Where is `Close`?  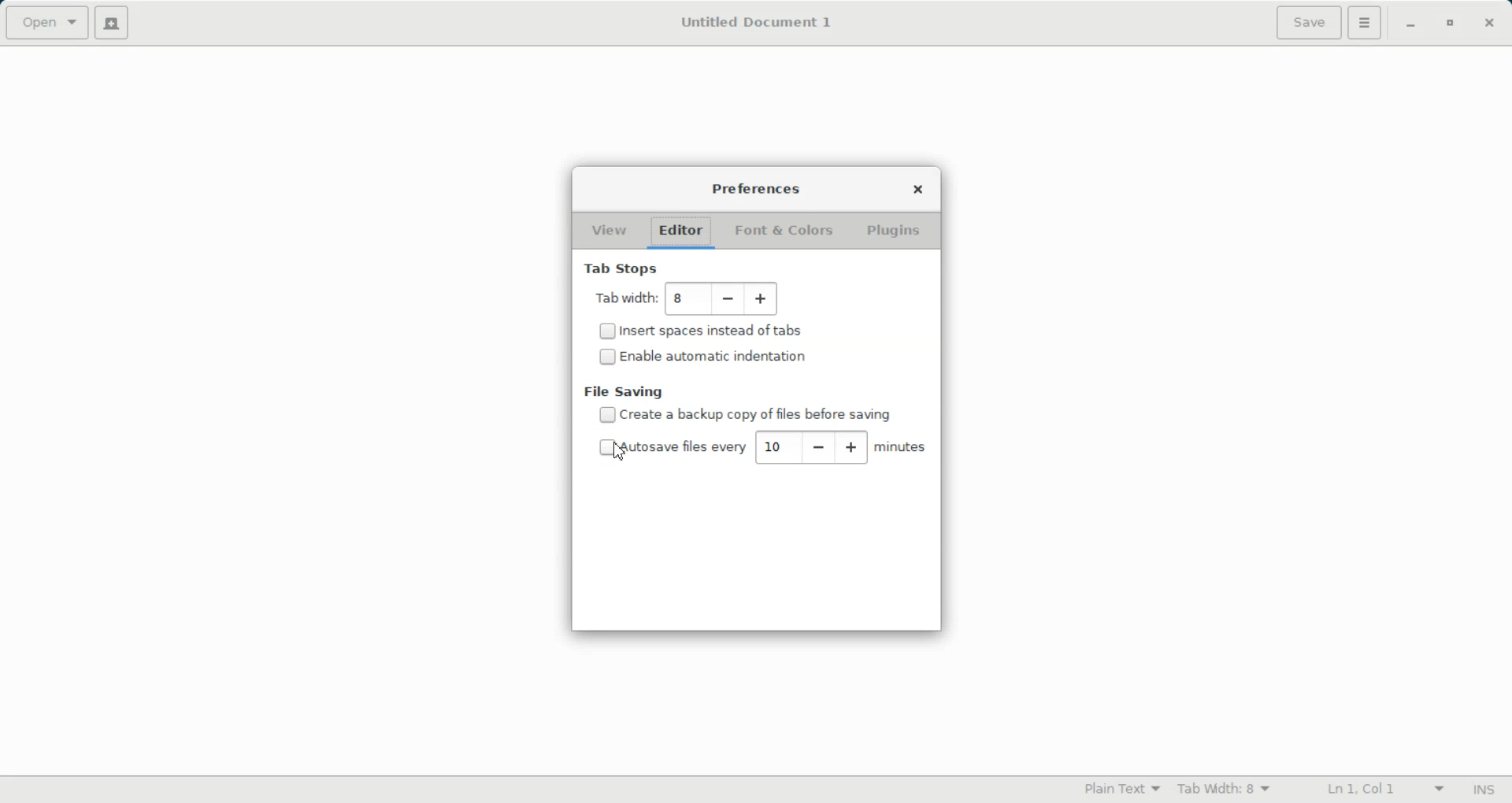 Close is located at coordinates (1488, 23).